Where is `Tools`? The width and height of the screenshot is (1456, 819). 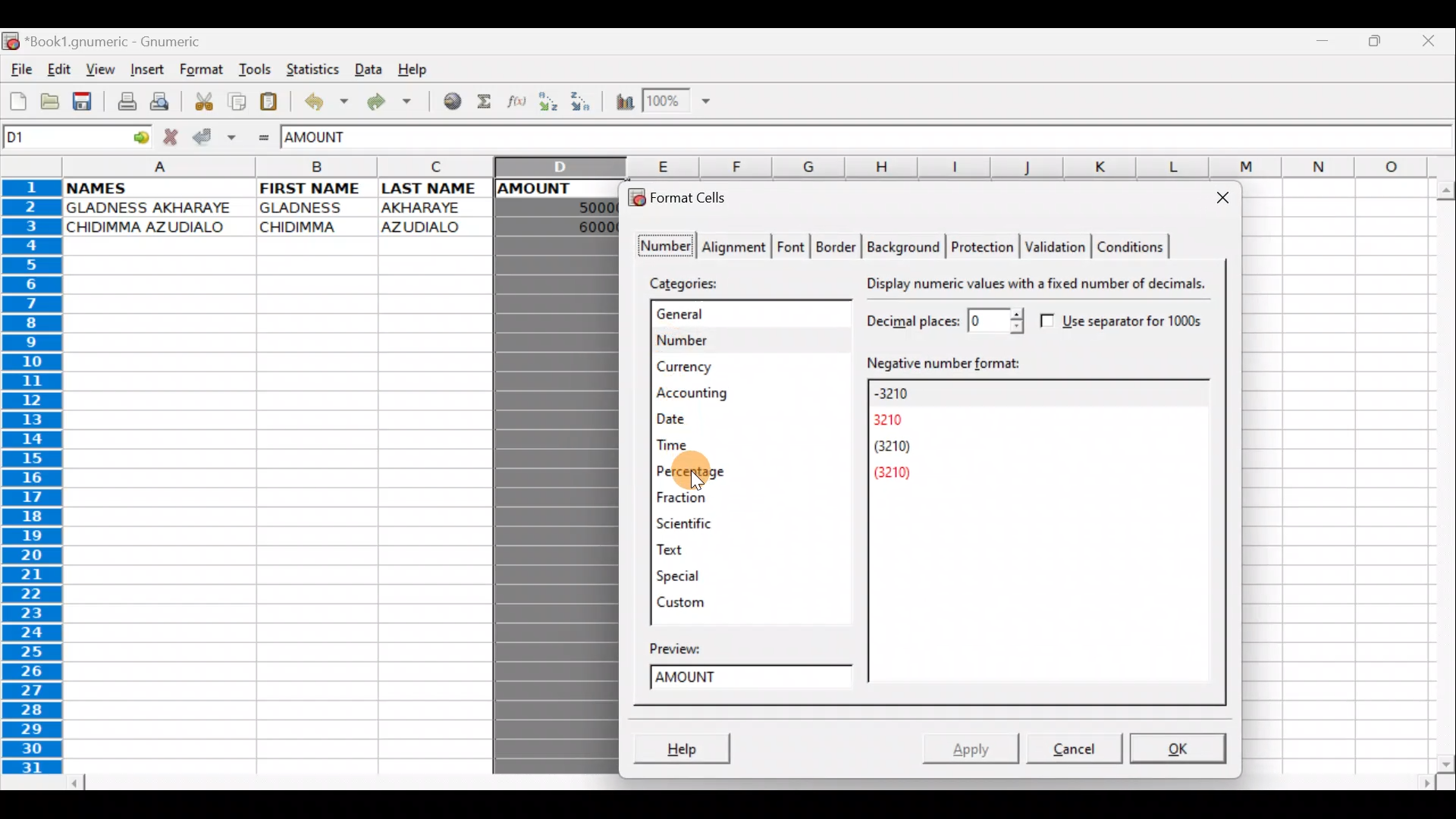 Tools is located at coordinates (250, 71).